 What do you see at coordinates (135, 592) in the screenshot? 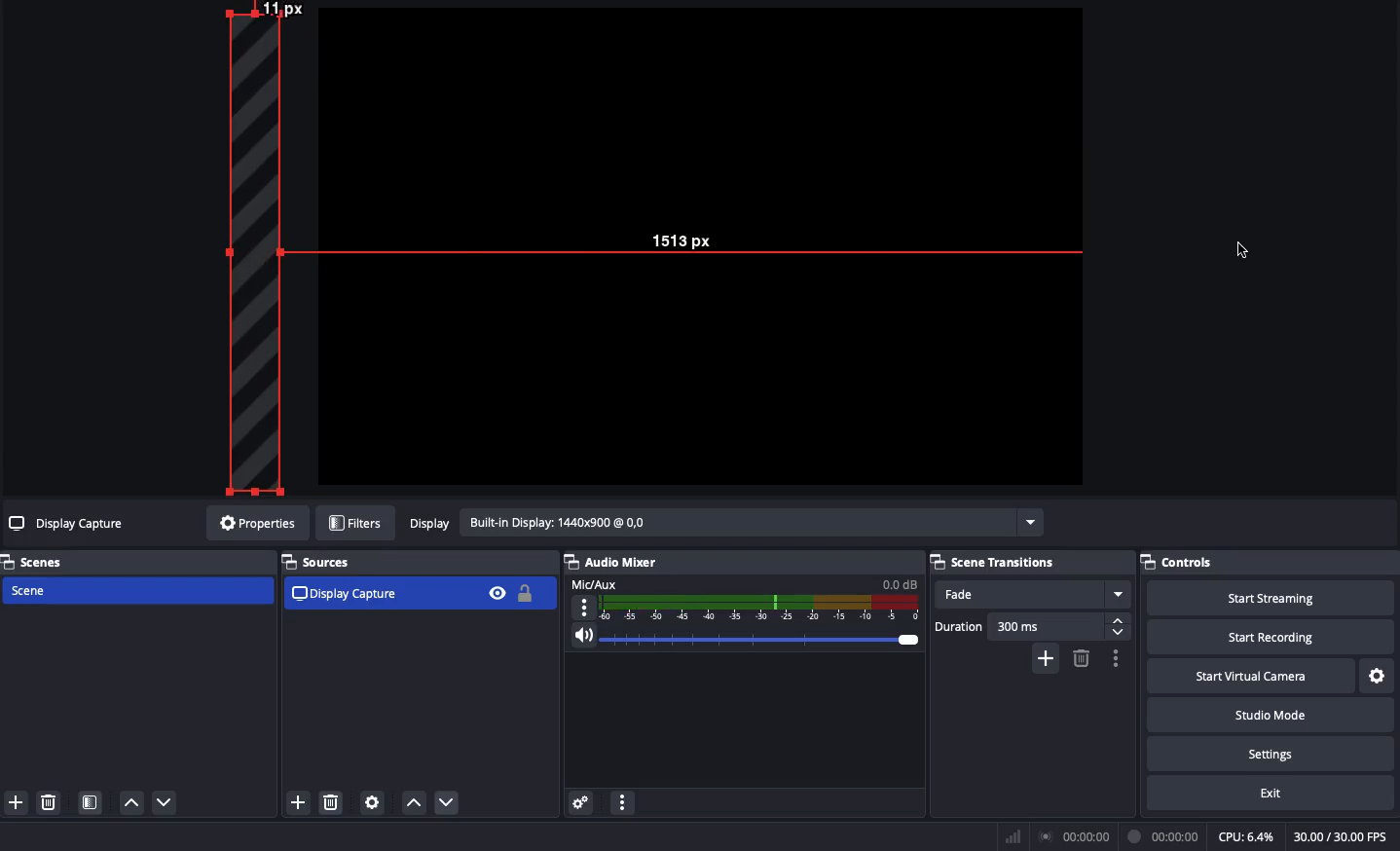
I see `Scene` at bounding box center [135, 592].